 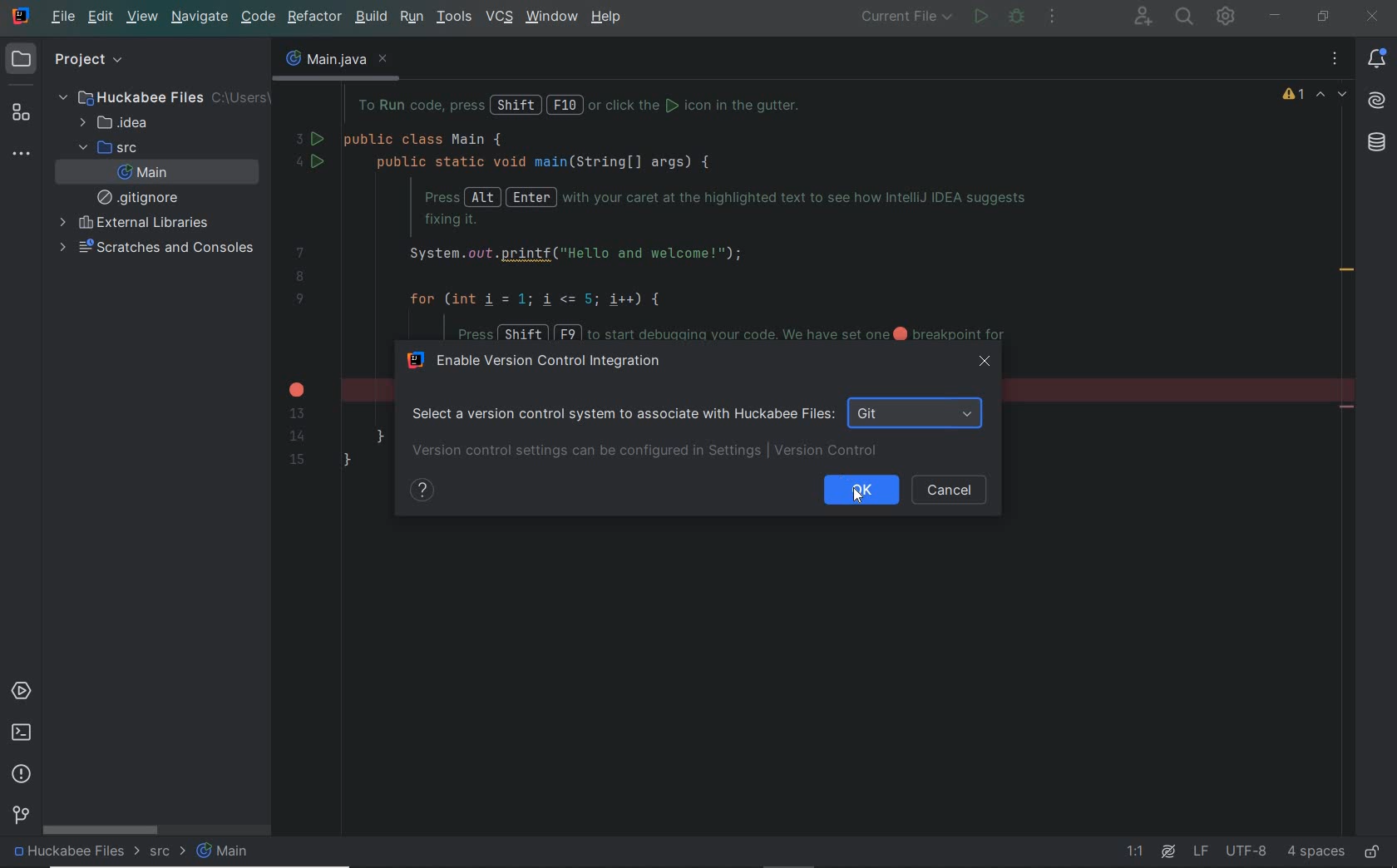 What do you see at coordinates (1227, 17) in the screenshot?
I see `IDE AND PROJECT SETTINGS` at bounding box center [1227, 17].